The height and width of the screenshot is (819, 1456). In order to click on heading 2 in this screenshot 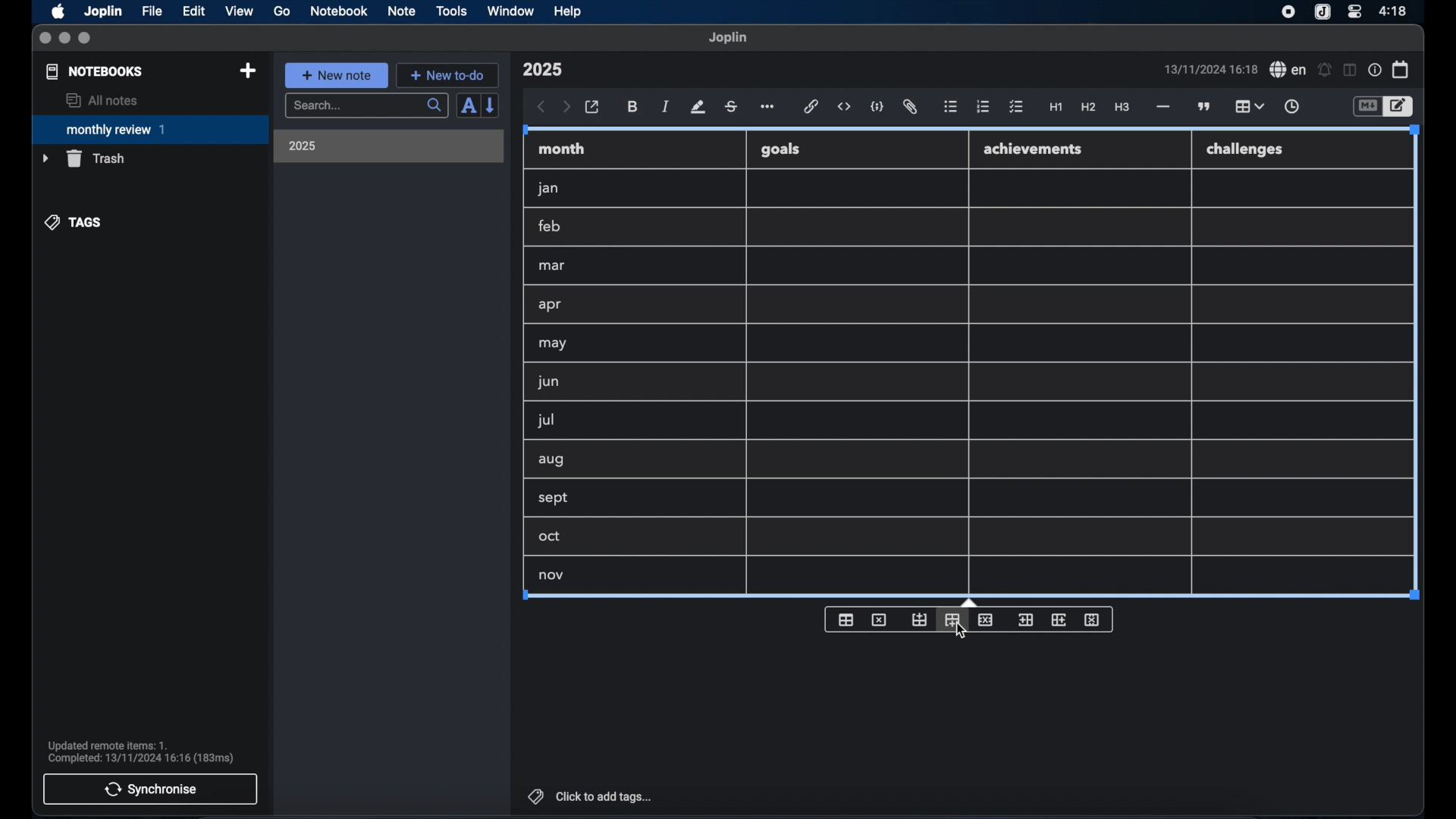, I will do `click(1089, 108)`.